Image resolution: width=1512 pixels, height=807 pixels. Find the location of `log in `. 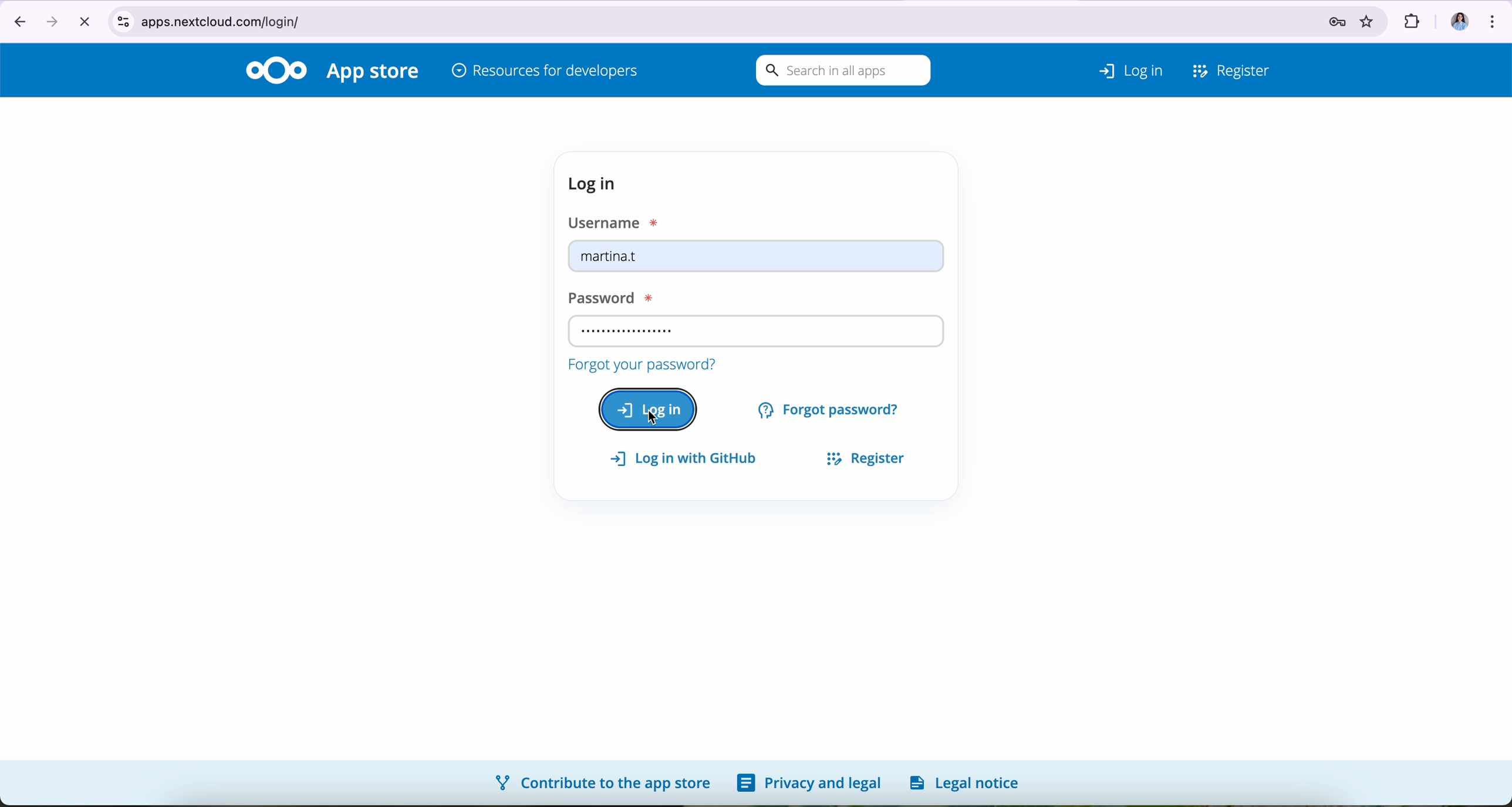

log in  is located at coordinates (648, 408).